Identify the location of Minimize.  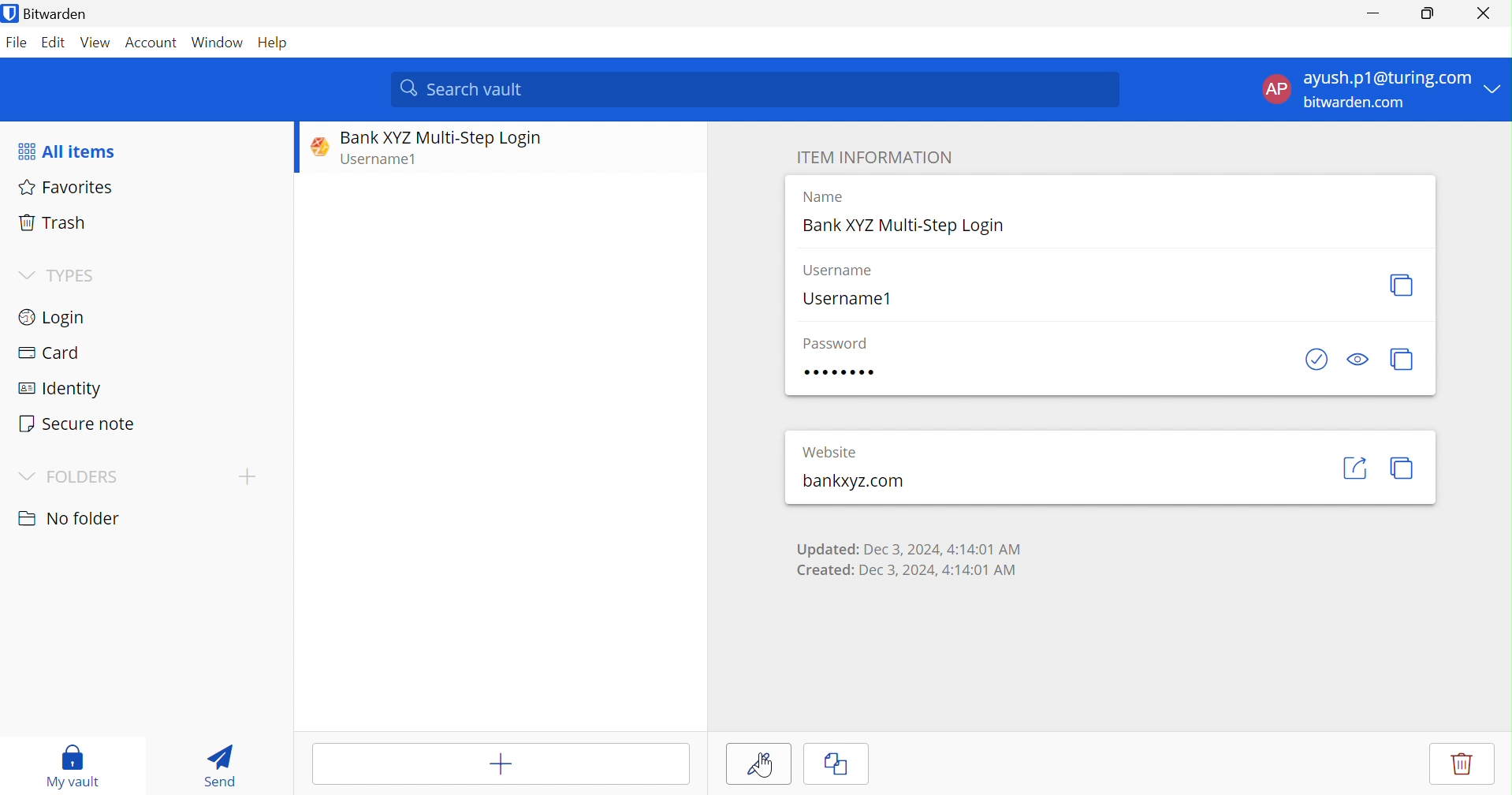
(1371, 15).